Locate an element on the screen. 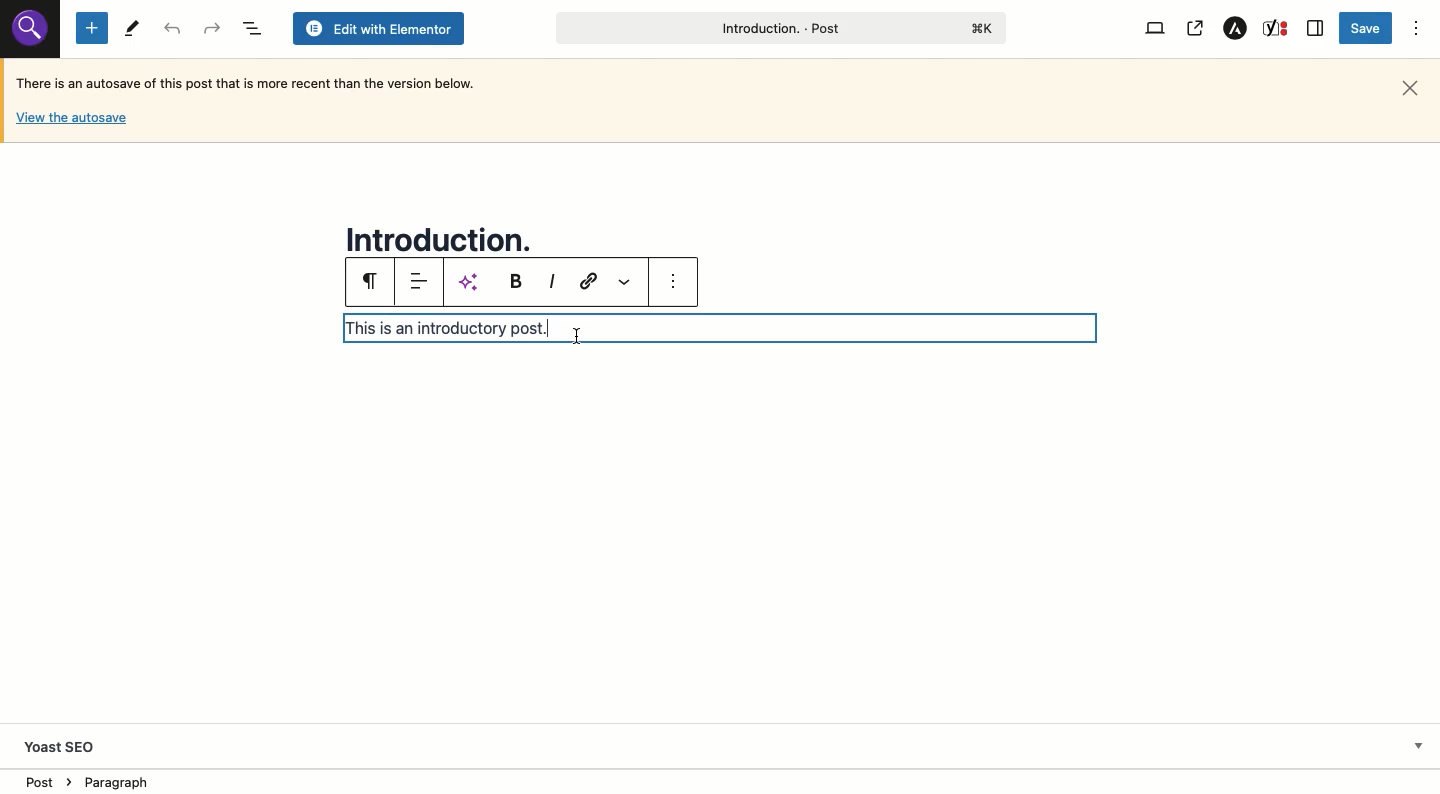  AI is located at coordinates (465, 282).